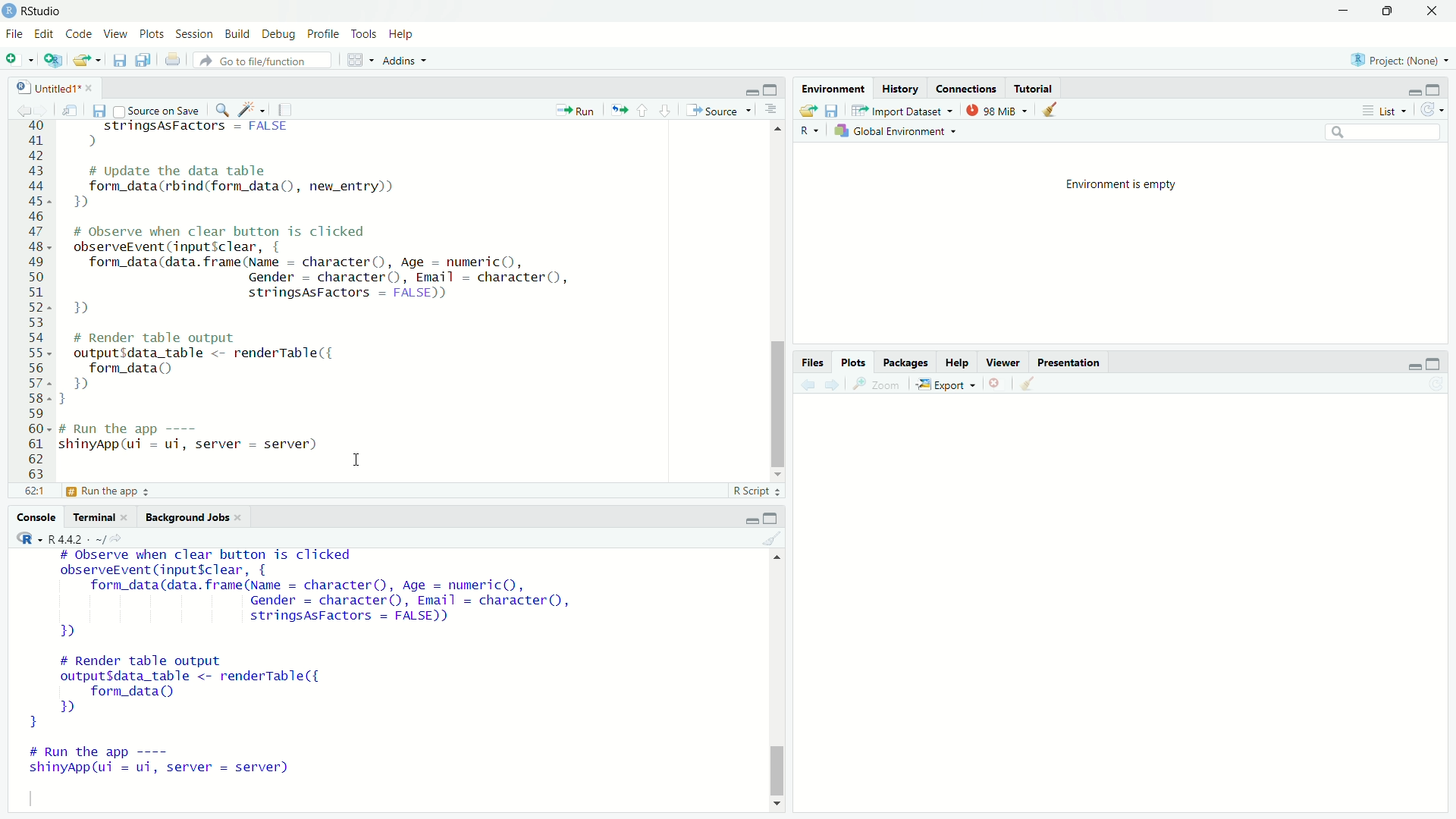 The height and width of the screenshot is (819, 1456). What do you see at coordinates (899, 87) in the screenshot?
I see `history` at bounding box center [899, 87].